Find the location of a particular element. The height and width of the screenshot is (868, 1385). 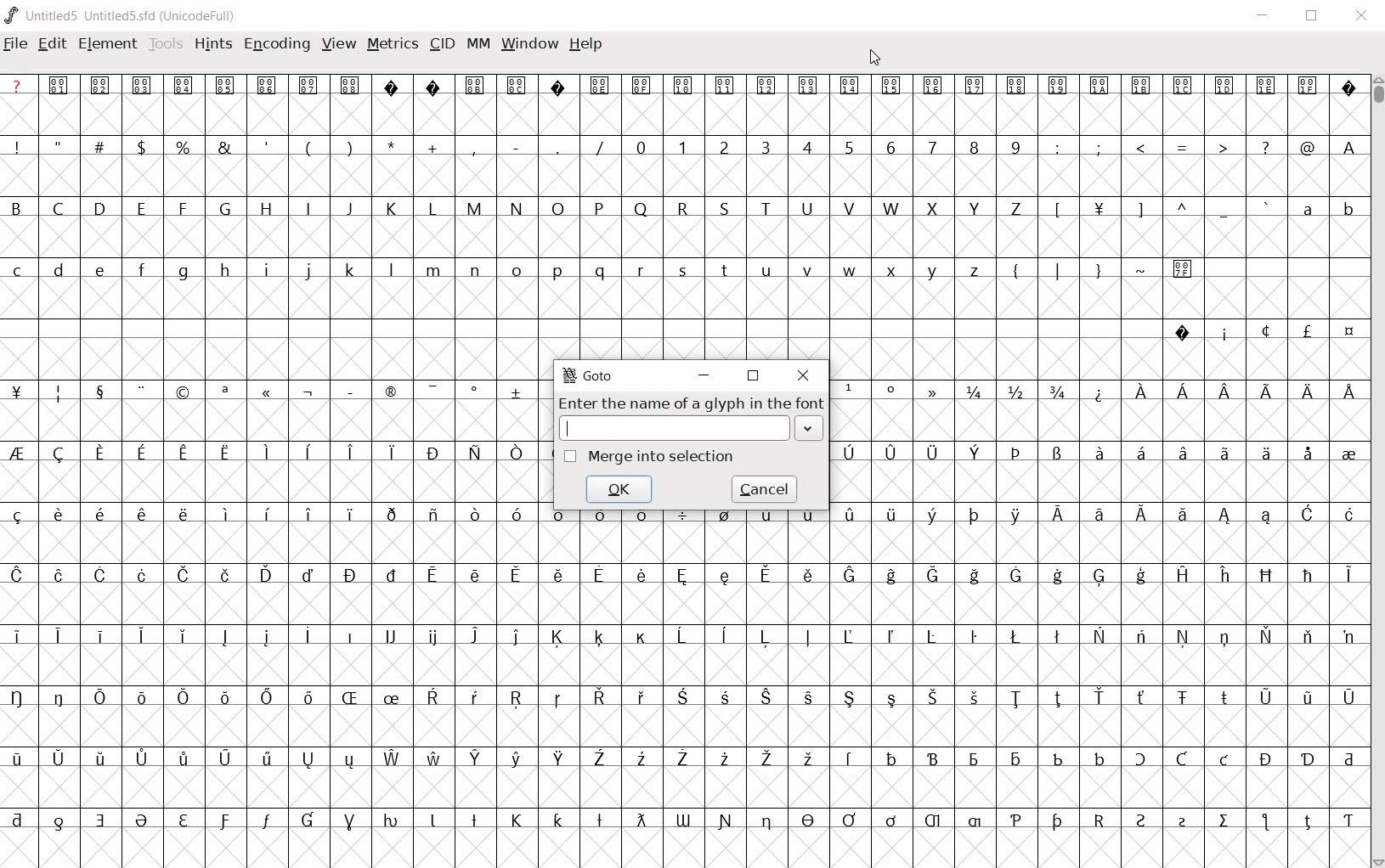

Symbol is located at coordinates (478, 697).